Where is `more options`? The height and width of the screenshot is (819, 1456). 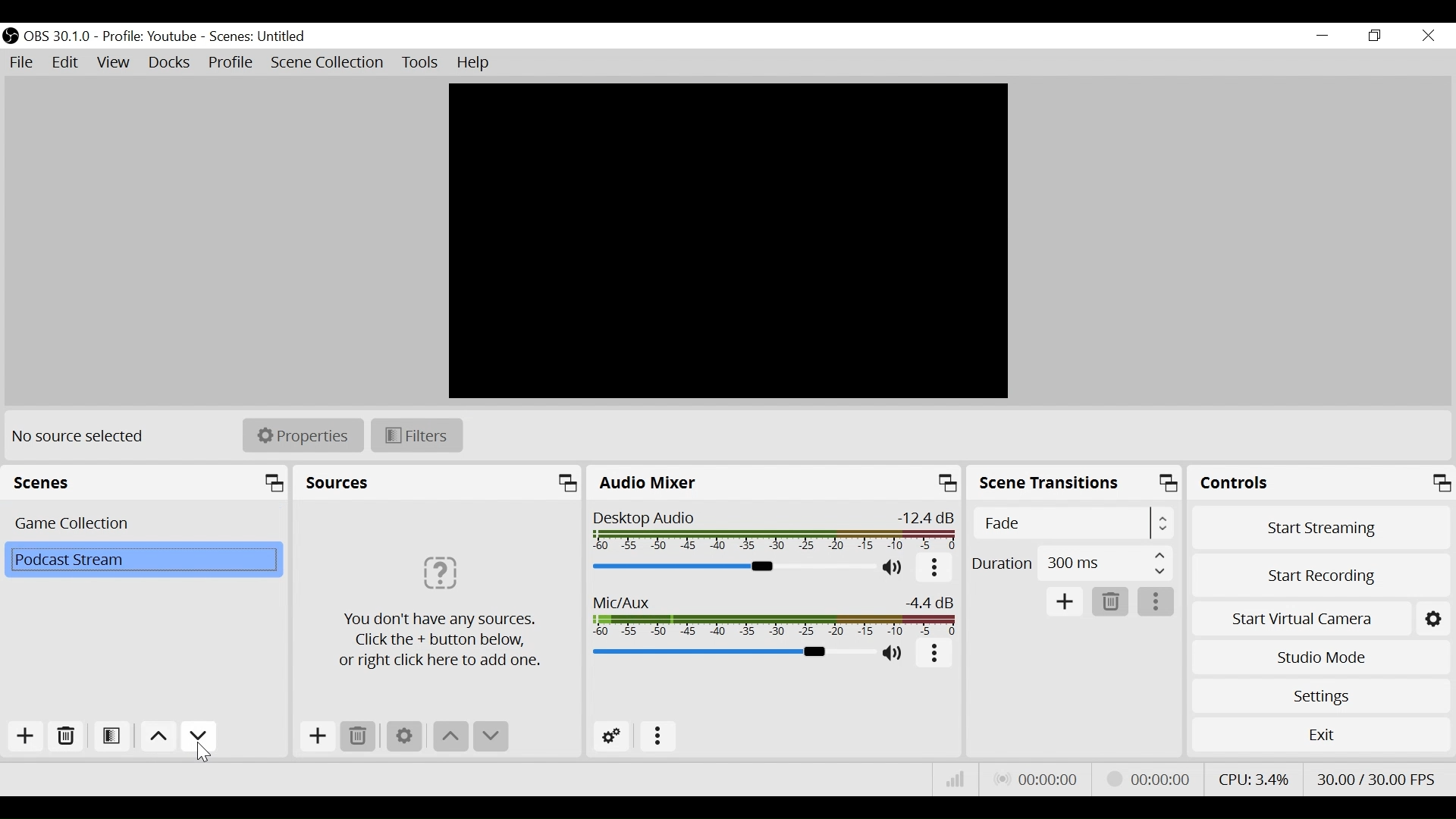 more options is located at coordinates (659, 736).